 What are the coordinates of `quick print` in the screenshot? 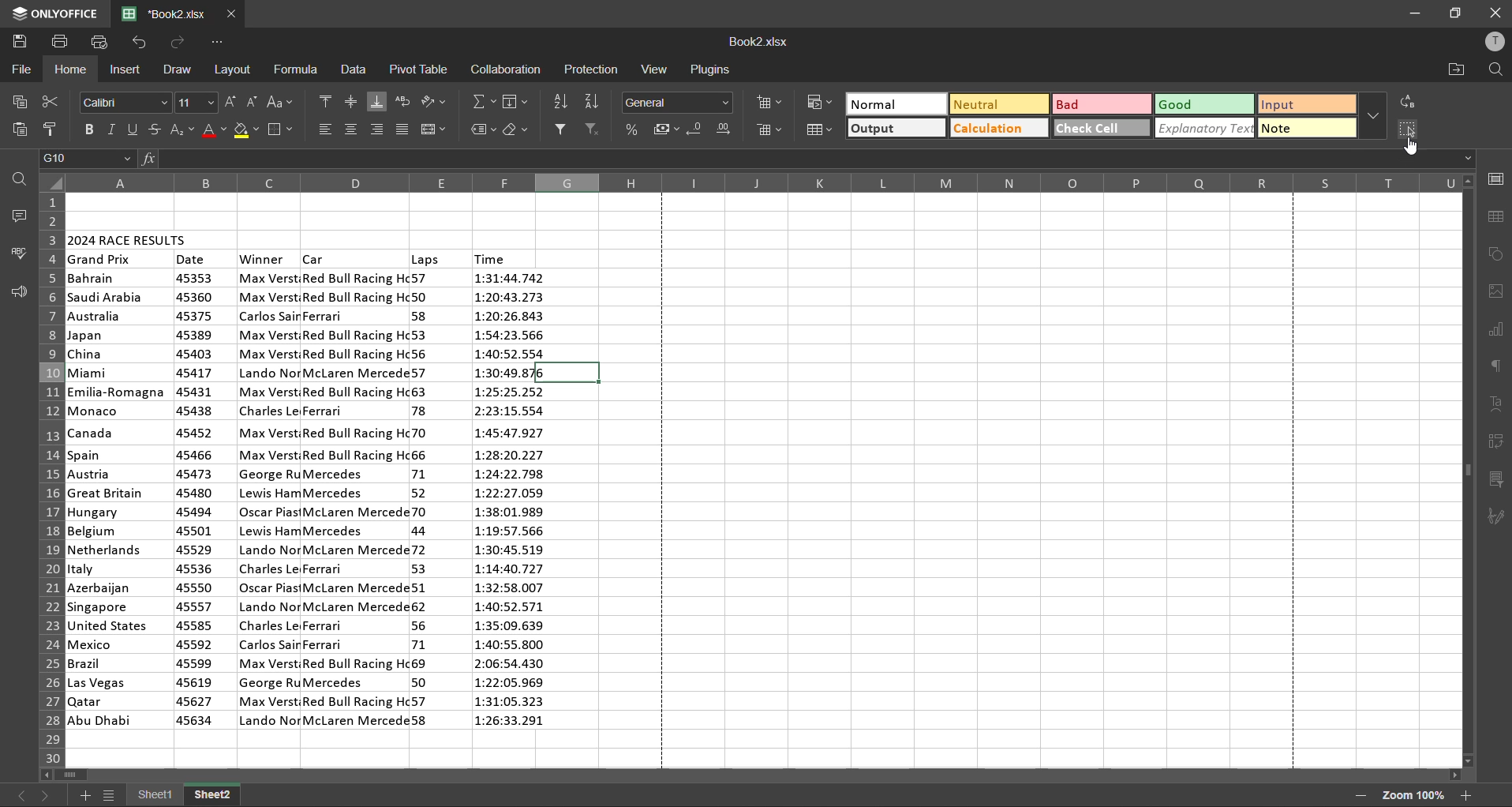 It's located at (103, 43).